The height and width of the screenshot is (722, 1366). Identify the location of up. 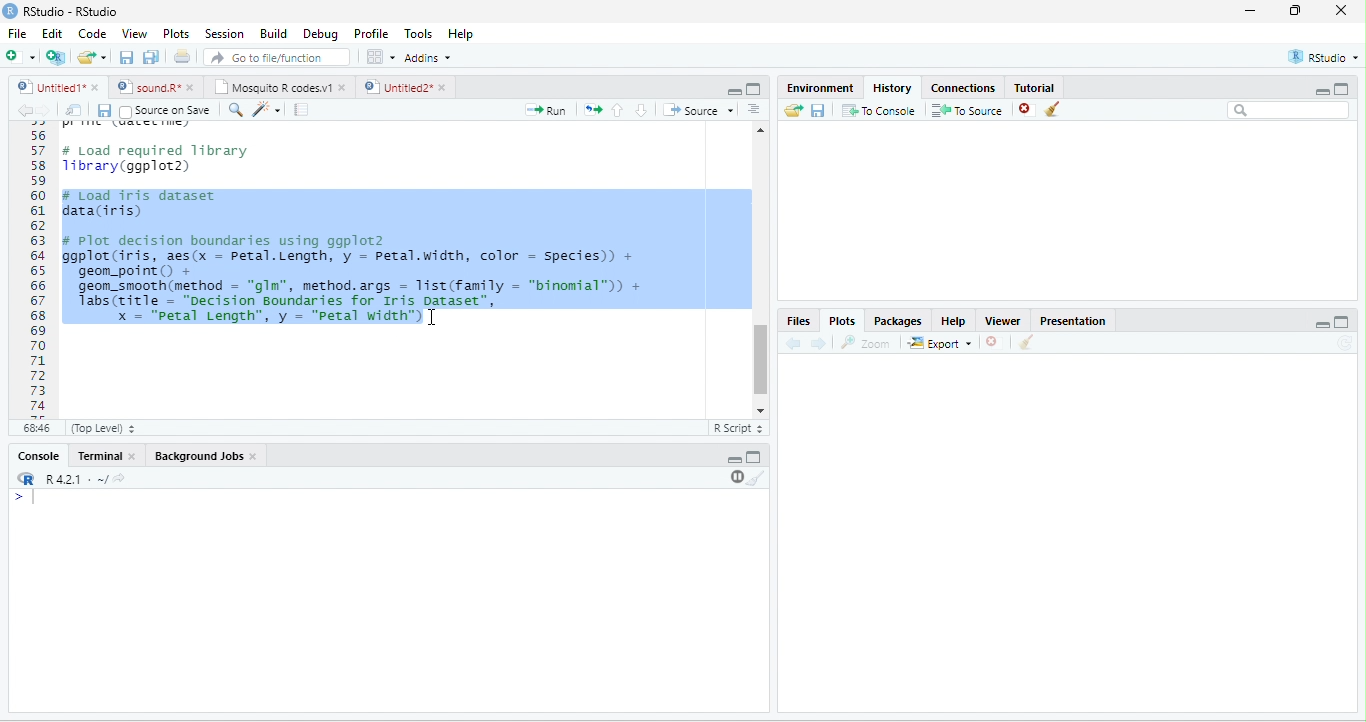
(618, 110).